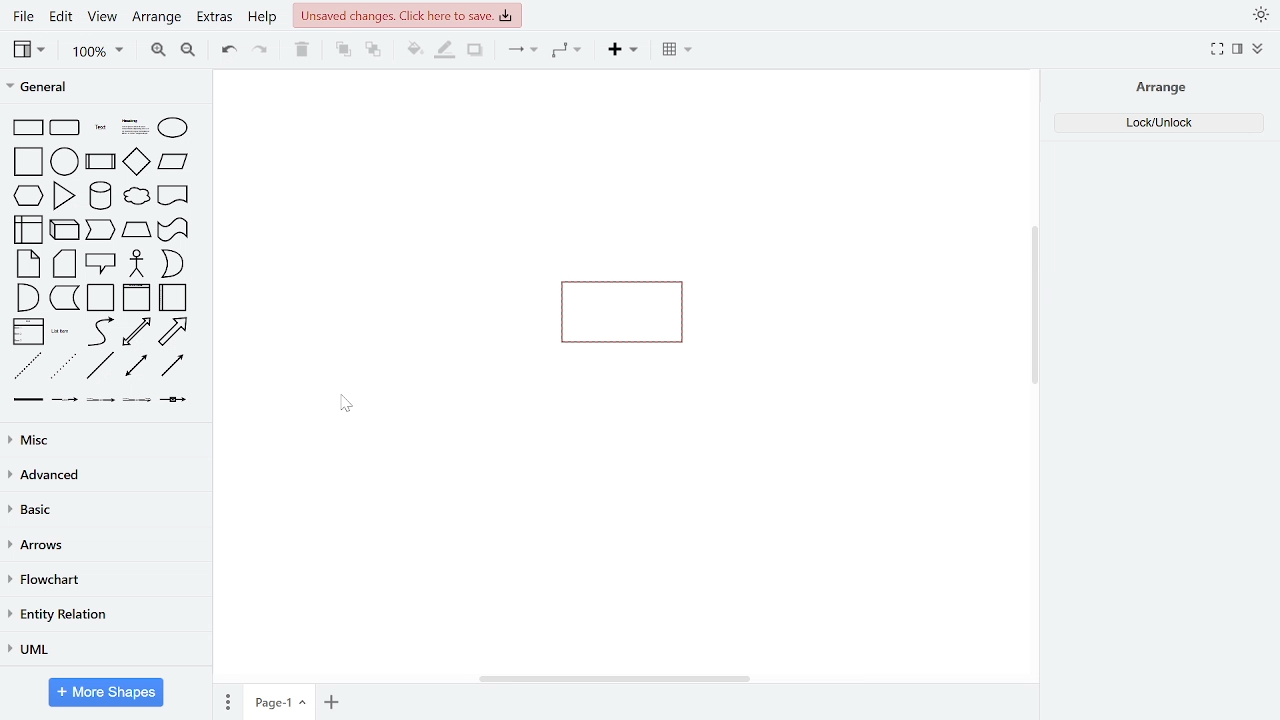 The image size is (1280, 720). What do you see at coordinates (342, 49) in the screenshot?
I see `to front` at bounding box center [342, 49].